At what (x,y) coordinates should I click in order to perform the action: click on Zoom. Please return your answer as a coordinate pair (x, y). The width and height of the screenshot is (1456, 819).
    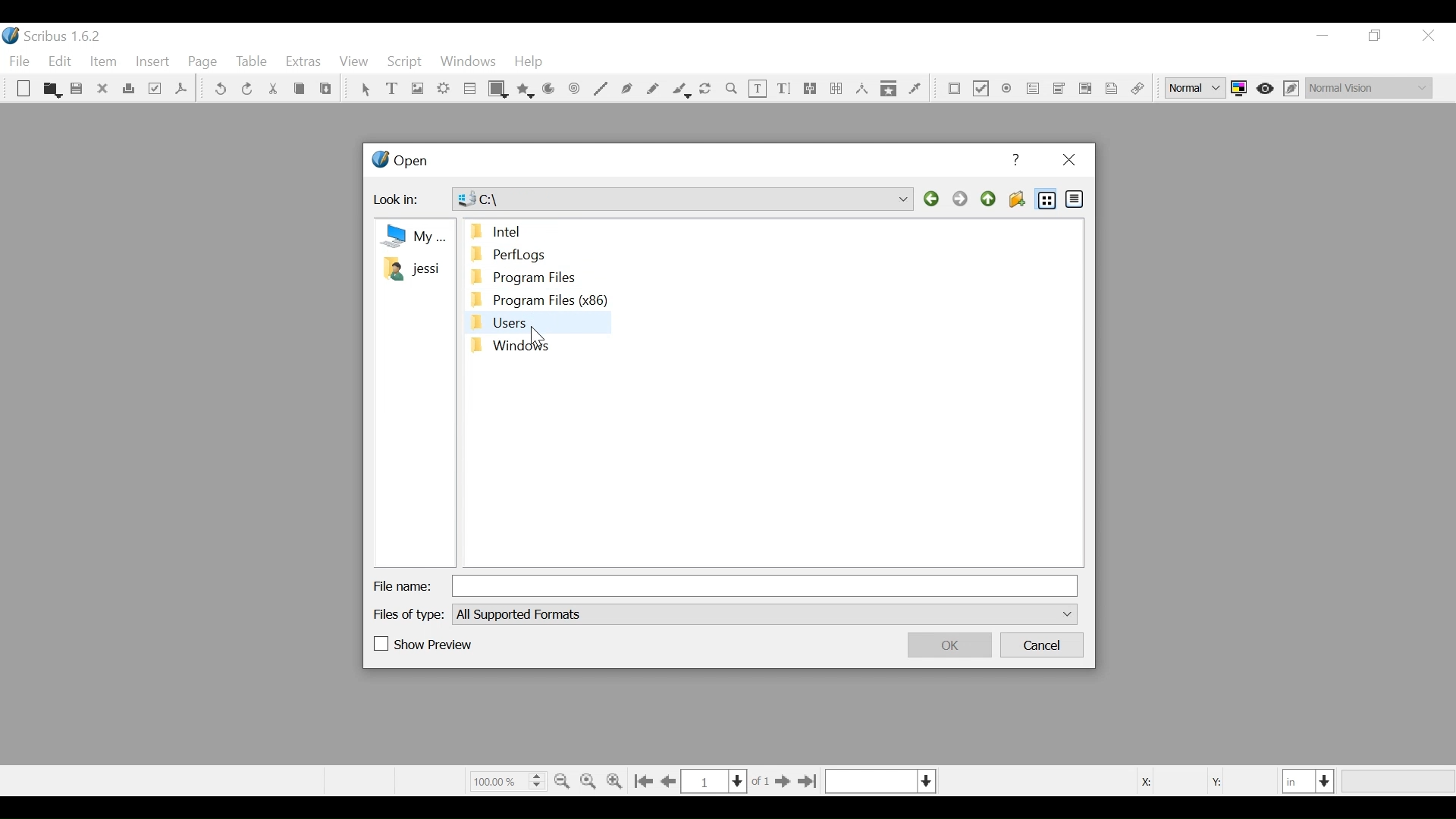
    Looking at the image, I should click on (732, 89).